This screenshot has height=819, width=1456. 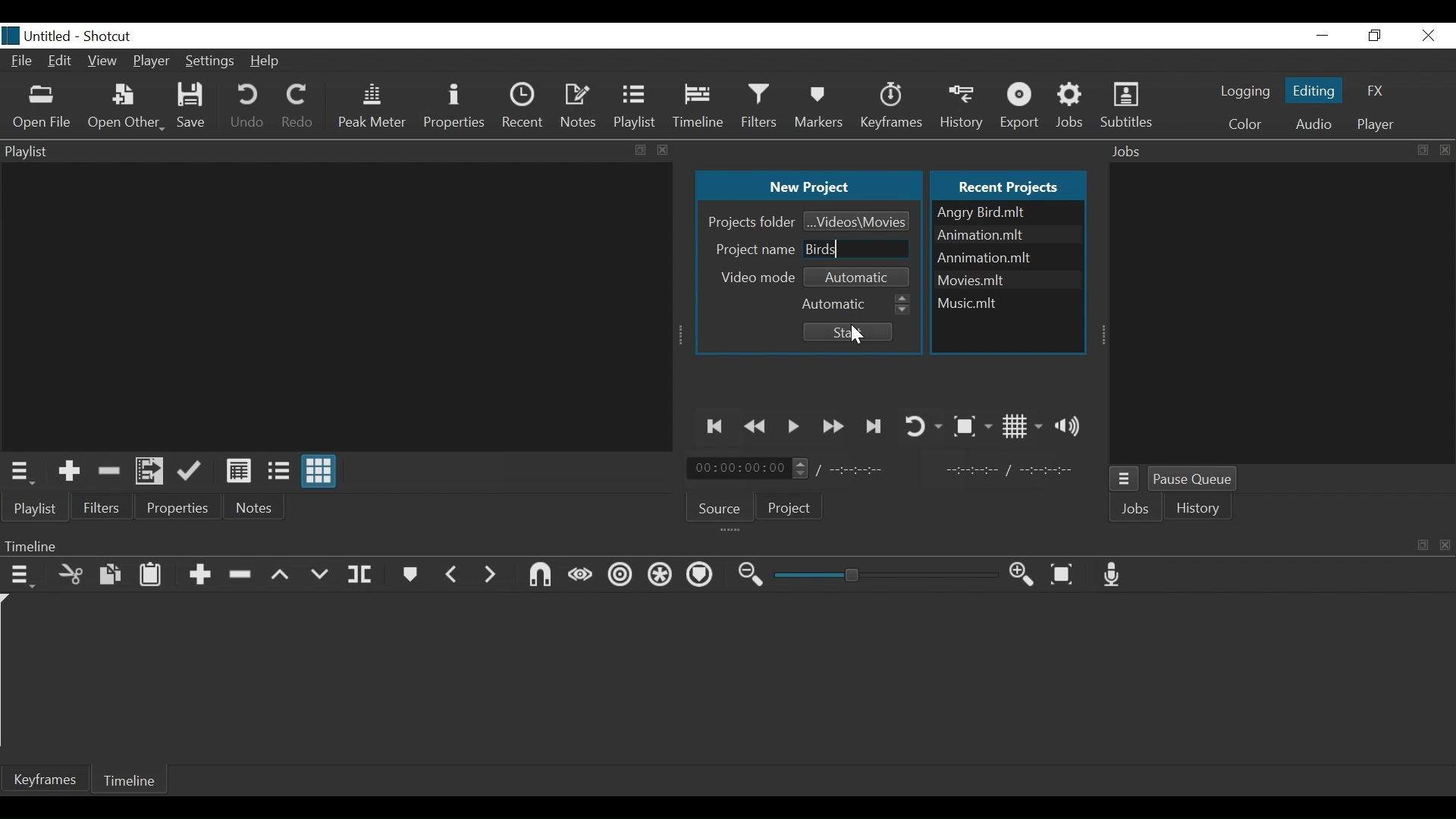 I want to click on Jobs, so click(x=1138, y=510).